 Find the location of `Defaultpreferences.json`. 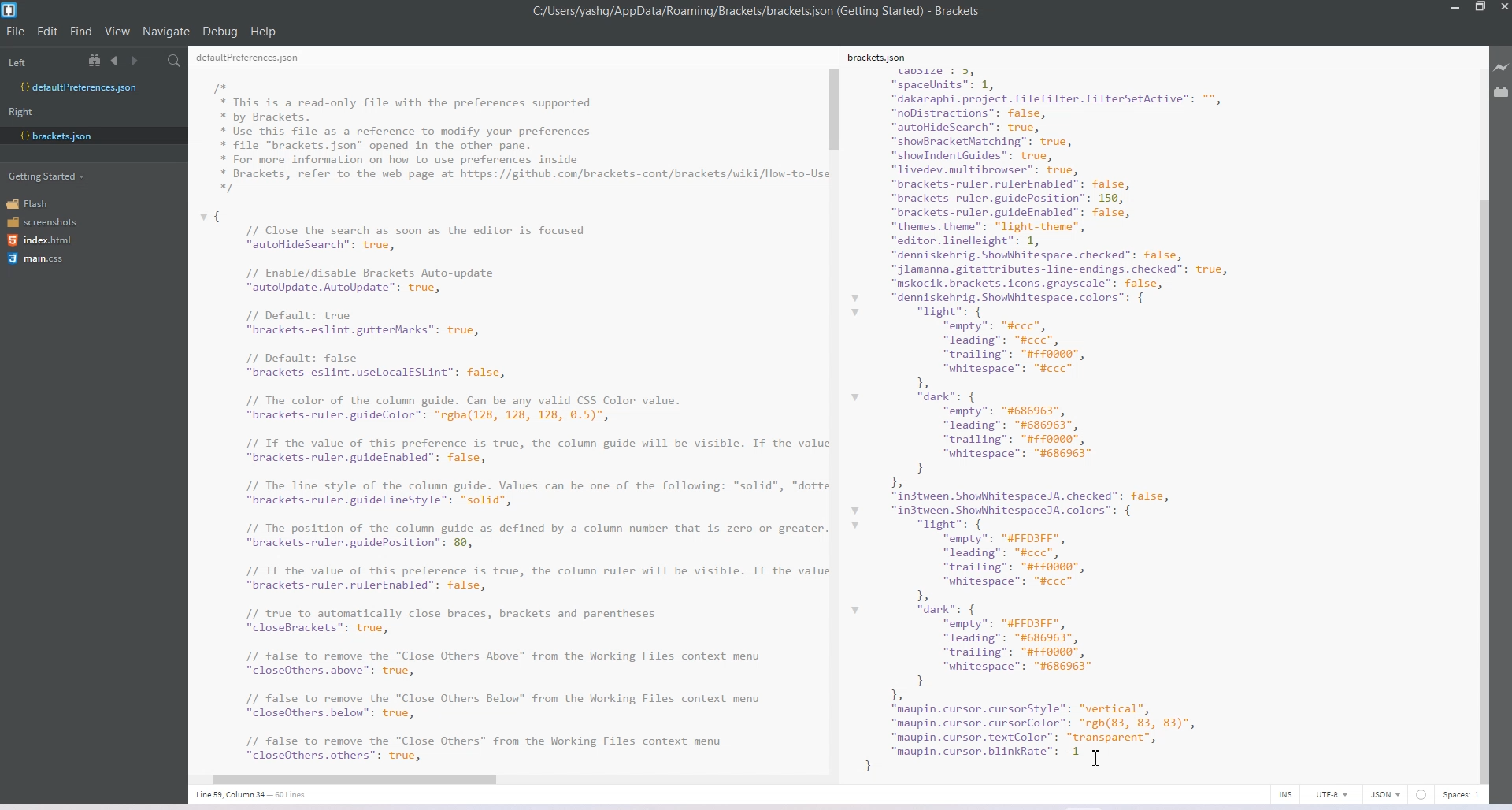

Defaultpreferences.json is located at coordinates (93, 87).